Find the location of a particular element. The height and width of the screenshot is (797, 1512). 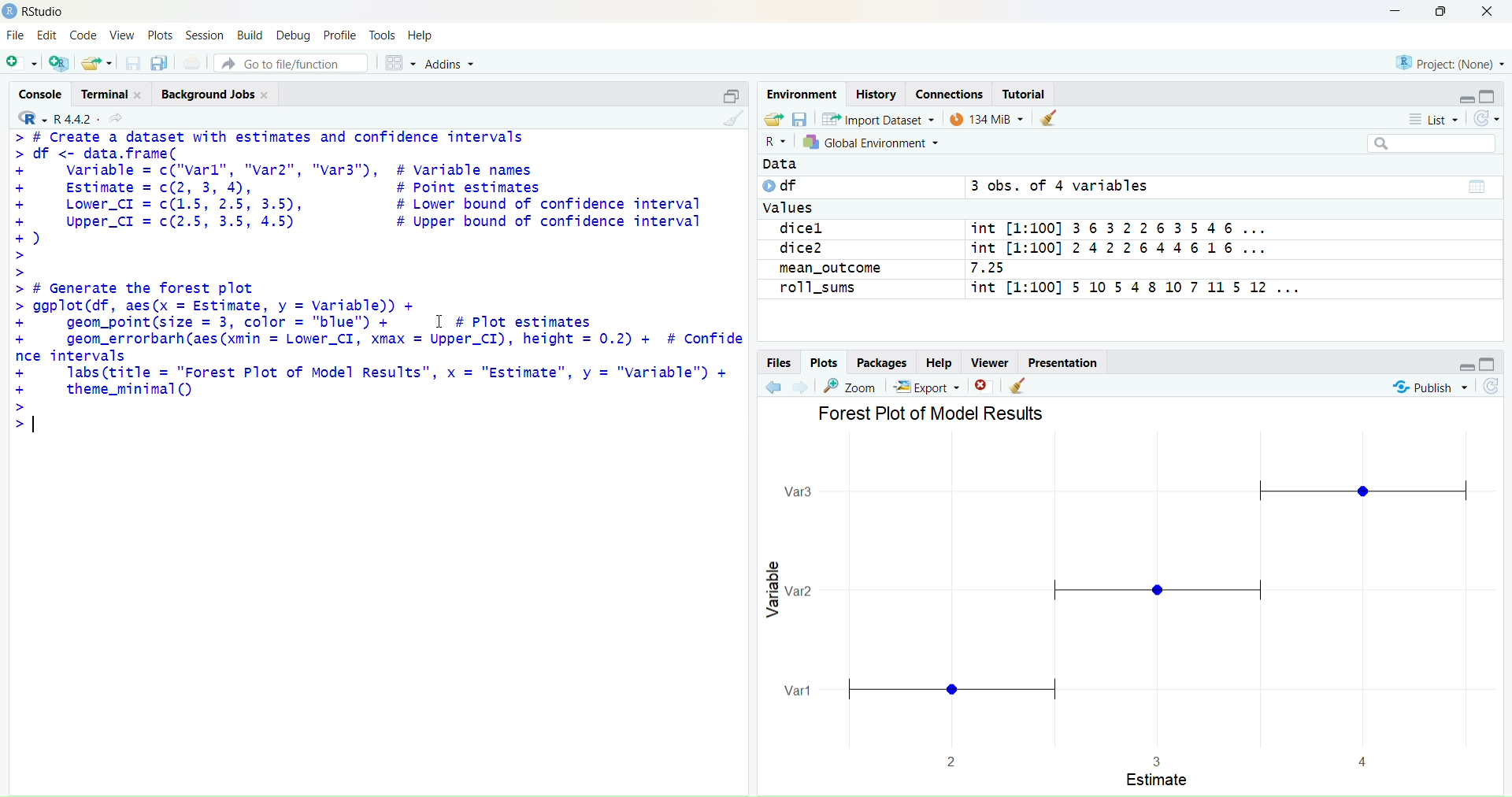

open existing file is located at coordinates (96, 61).